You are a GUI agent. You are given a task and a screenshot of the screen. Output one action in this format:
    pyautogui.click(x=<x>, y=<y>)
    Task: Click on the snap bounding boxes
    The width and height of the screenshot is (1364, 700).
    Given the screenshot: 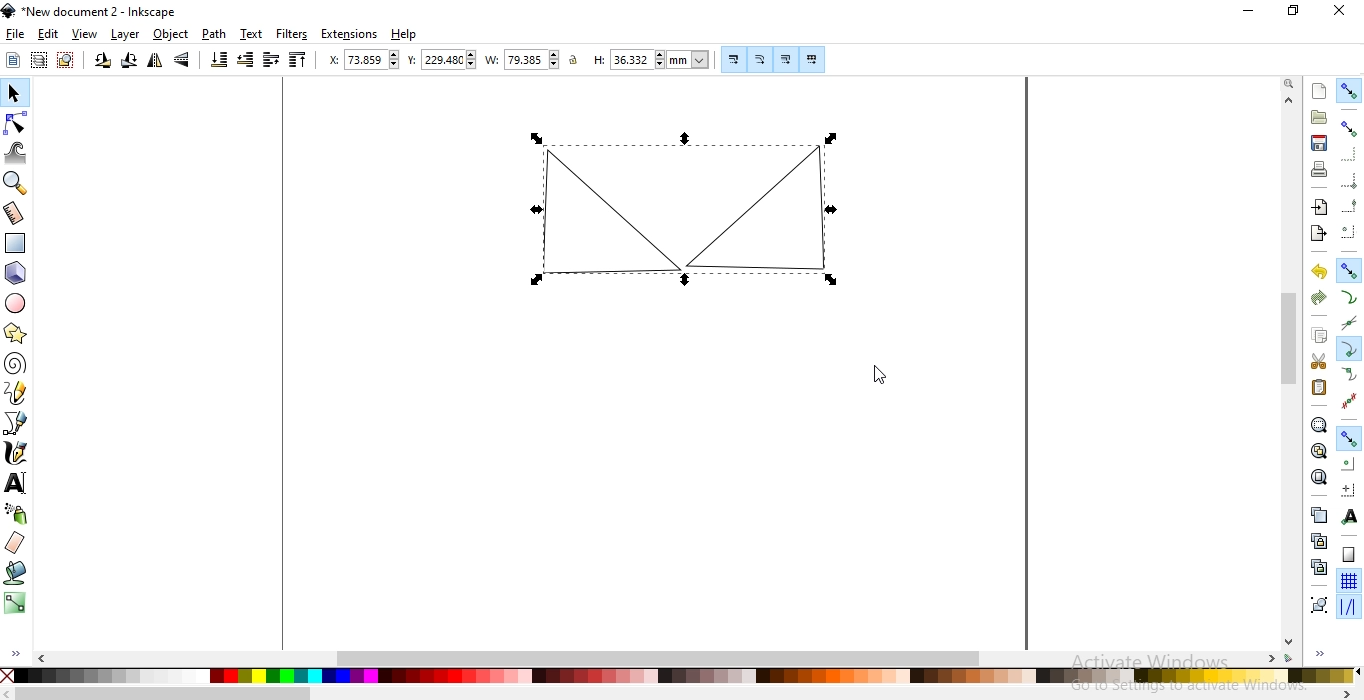 What is the action you would take?
    pyautogui.click(x=1350, y=127)
    